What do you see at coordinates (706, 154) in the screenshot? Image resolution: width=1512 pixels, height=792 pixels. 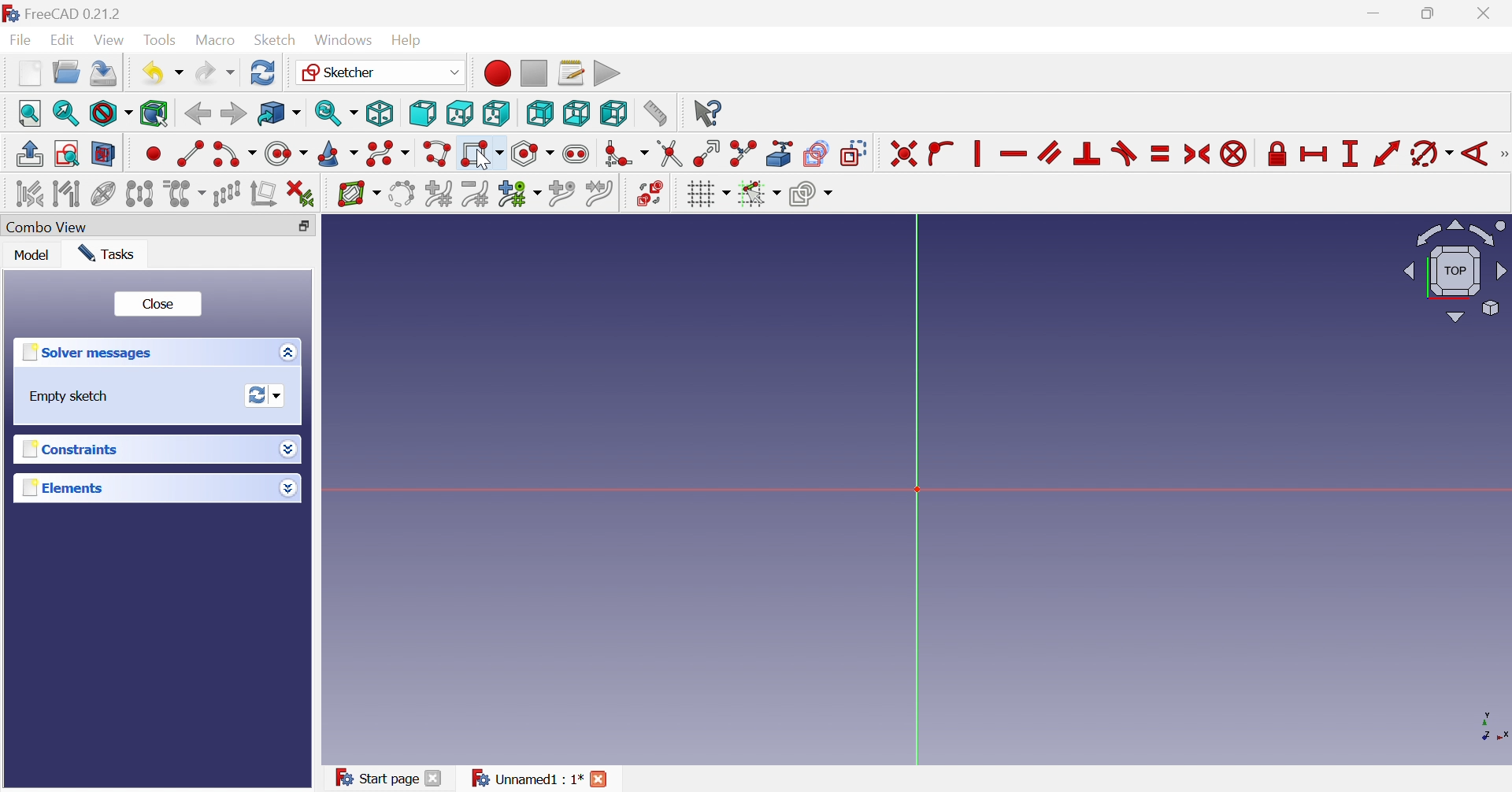 I see `Extend edge` at bounding box center [706, 154].